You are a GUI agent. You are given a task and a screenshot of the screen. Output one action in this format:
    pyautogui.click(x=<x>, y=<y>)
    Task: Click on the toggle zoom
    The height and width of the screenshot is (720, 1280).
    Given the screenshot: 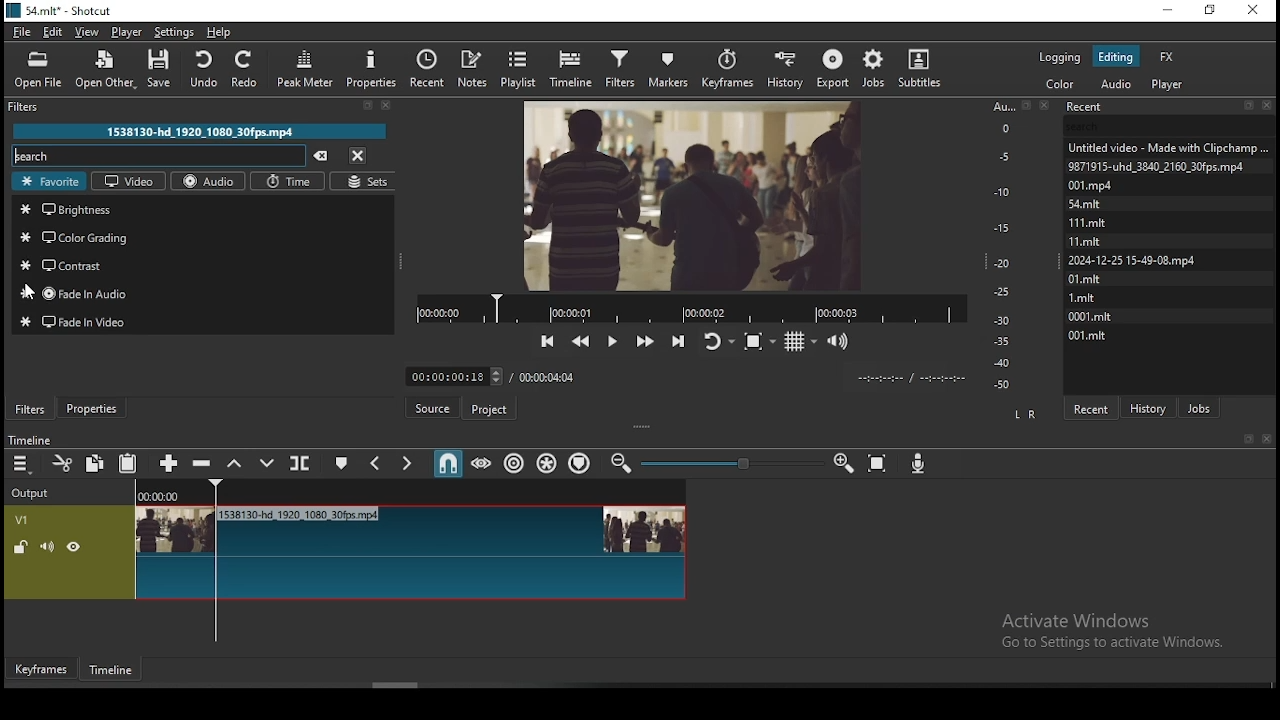 What is the action you would take?
    pyautogui.click(x=759, y=339)
    